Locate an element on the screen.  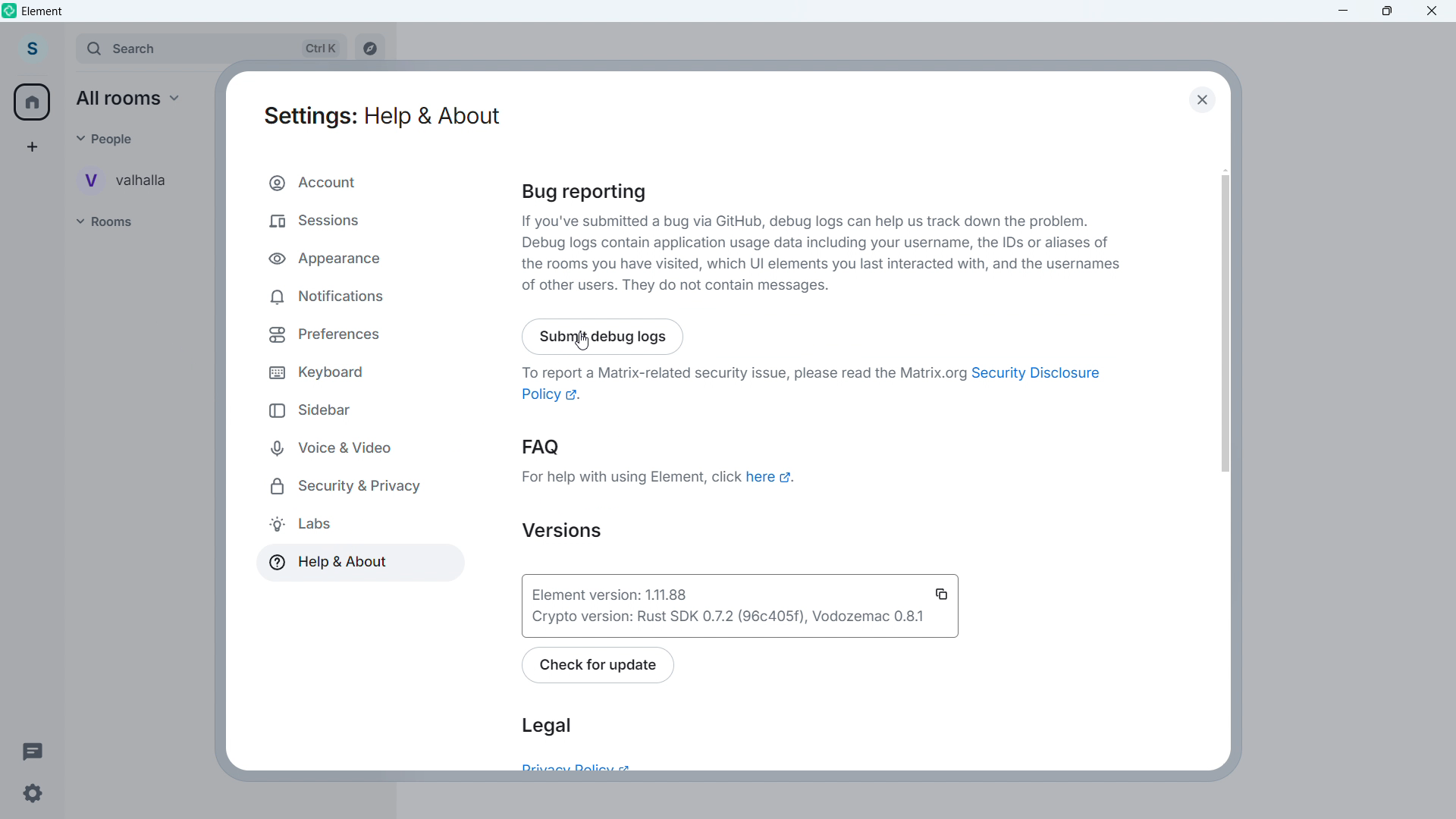
to report a Matrix-related security issue, please read the Matrix.org is located at coordinates (741, 372).